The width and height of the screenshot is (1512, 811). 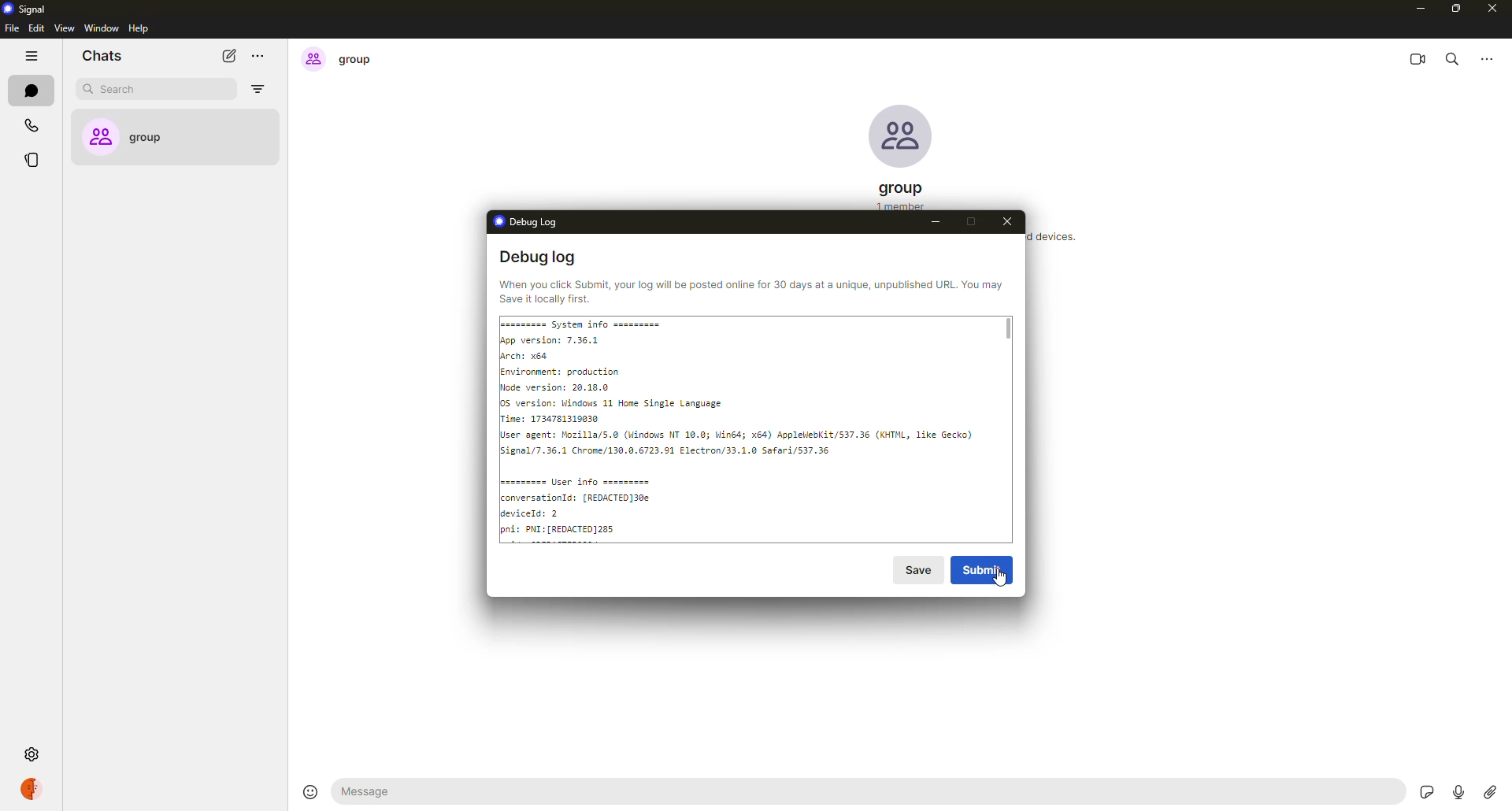 I want to click on more, so click(x=262, y=56).